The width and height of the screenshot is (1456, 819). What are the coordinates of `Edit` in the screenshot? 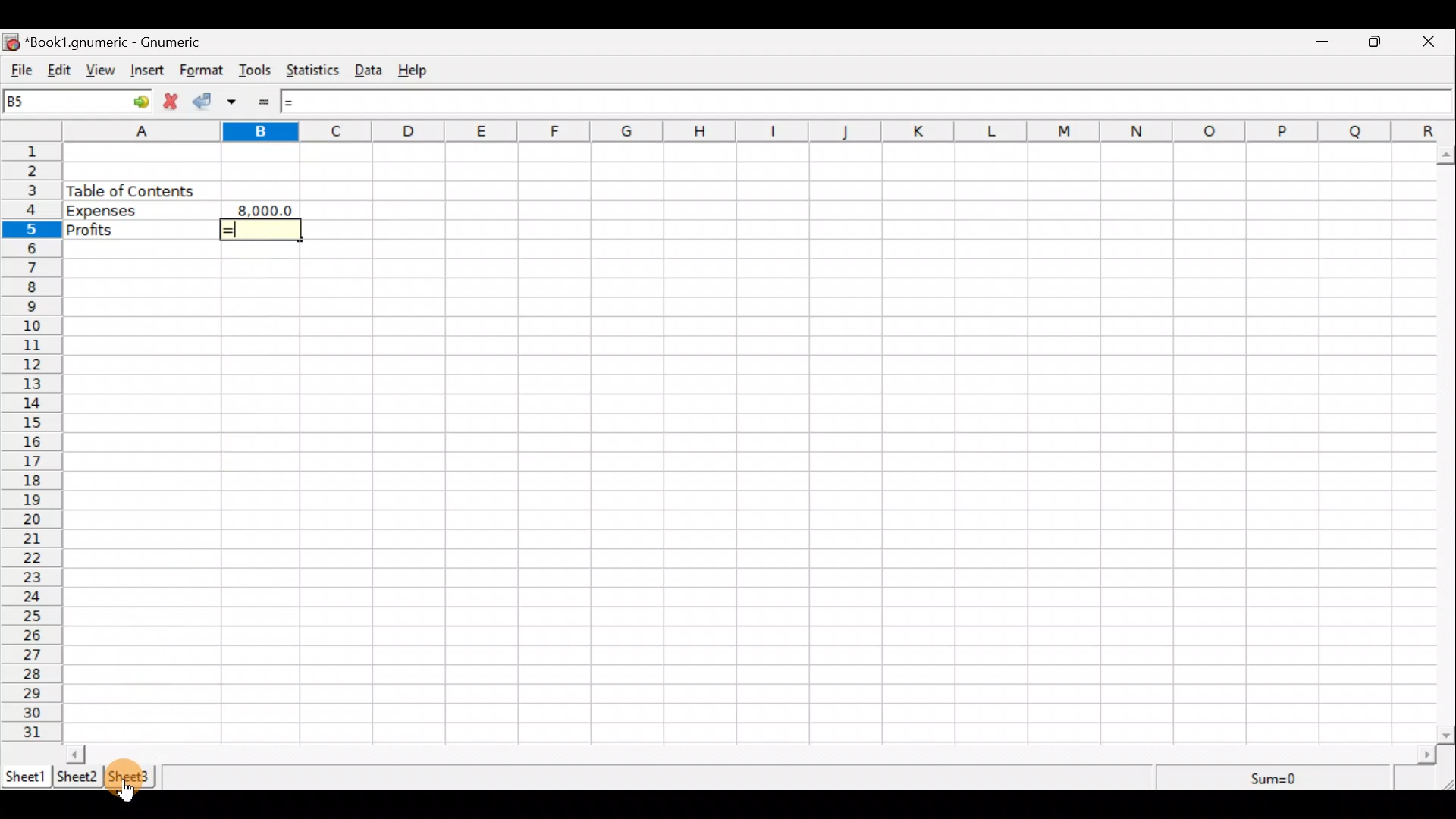 It's located at (59, 71).